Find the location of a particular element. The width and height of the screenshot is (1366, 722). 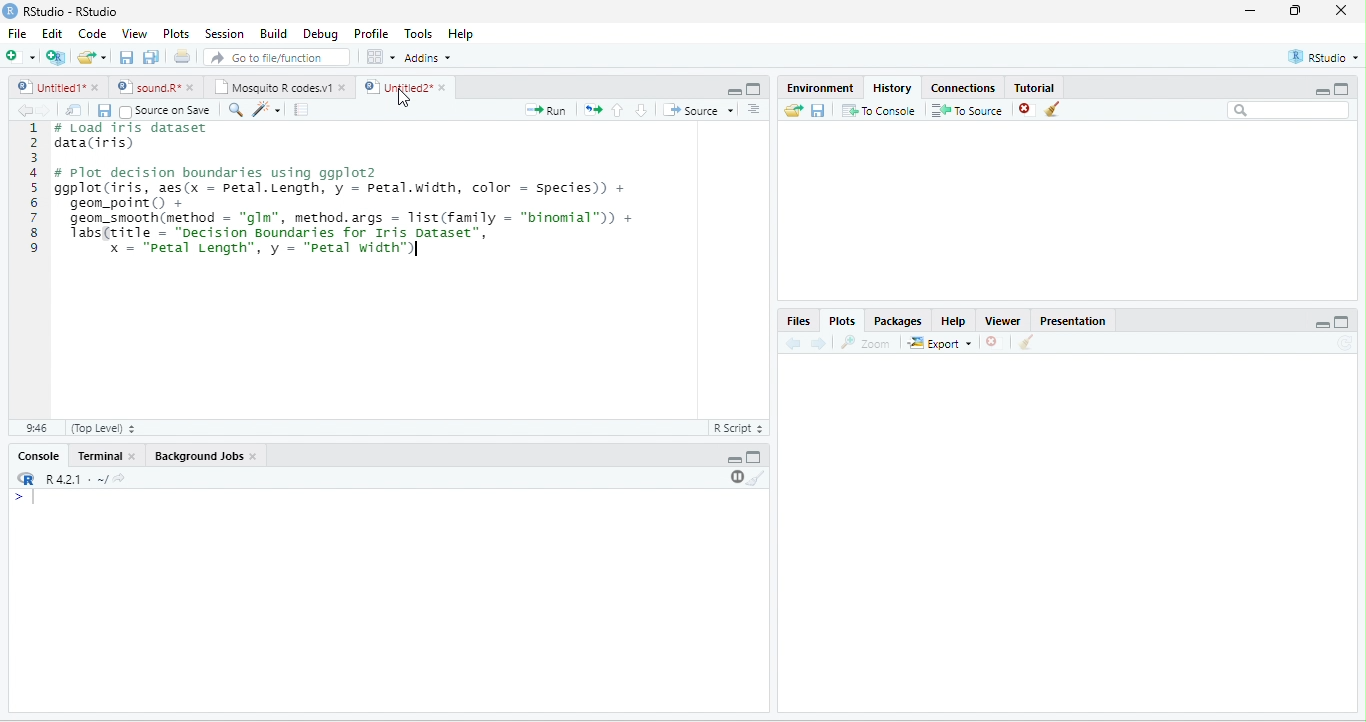

Plots is located at coordinates (176, 34).